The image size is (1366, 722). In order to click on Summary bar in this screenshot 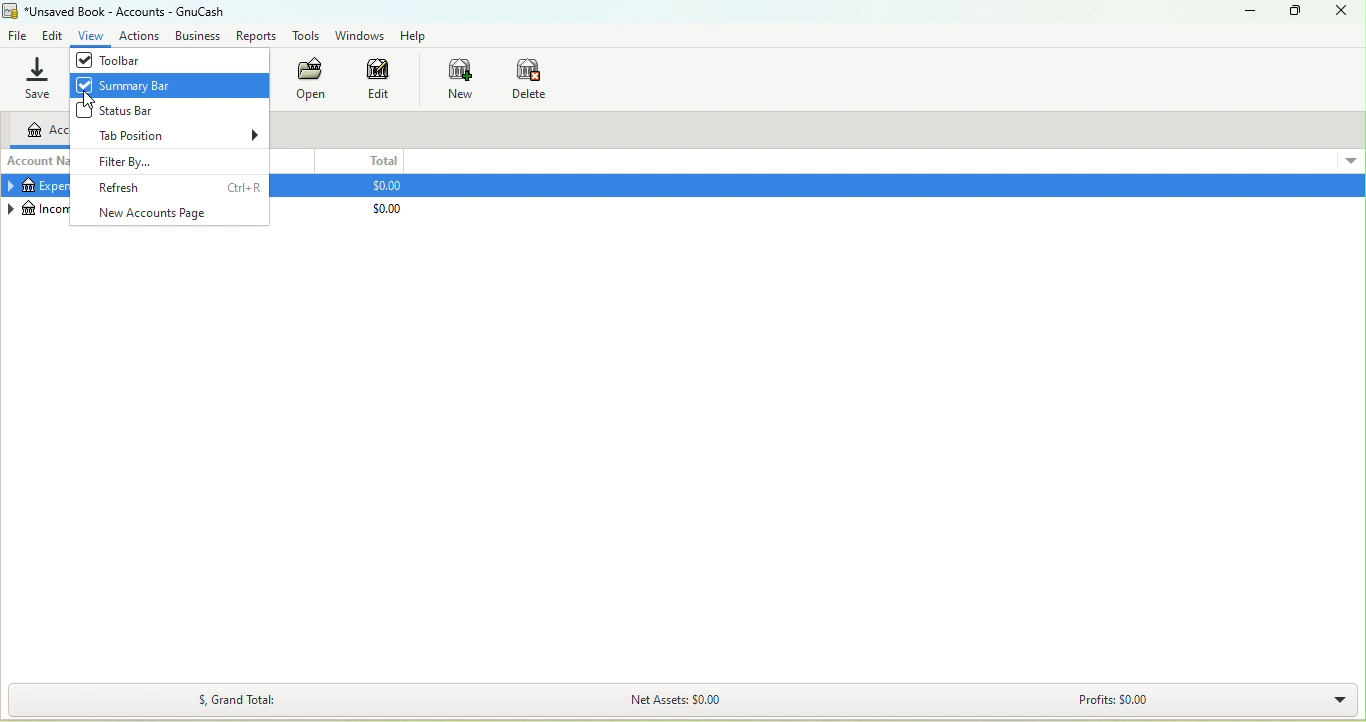, I will do `click(1332, 702)`.